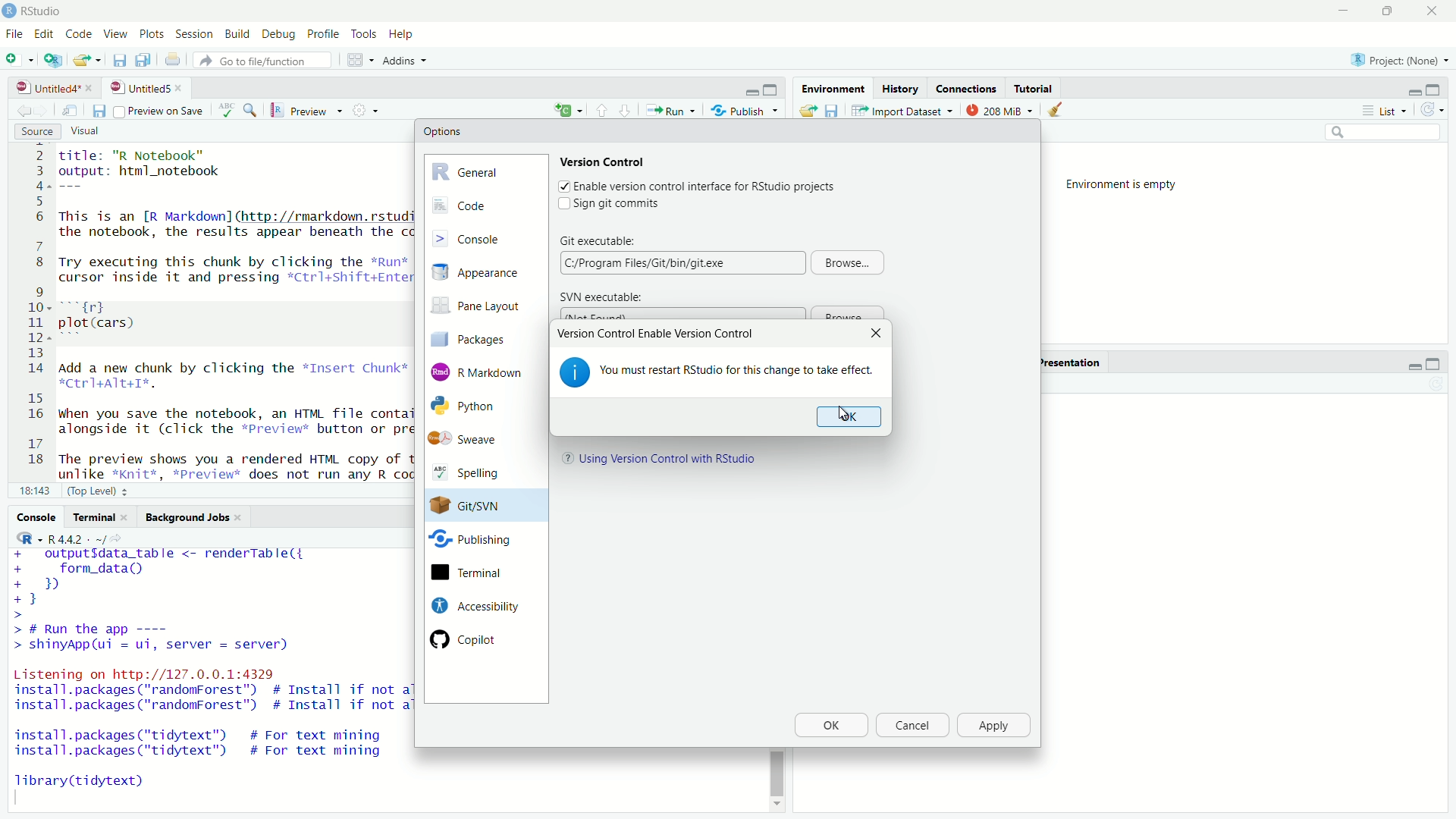 This screenshot has width=1456, height=819. Describe the element at coordinates (1385, 133) in the screenshot. I see `search` at that location.